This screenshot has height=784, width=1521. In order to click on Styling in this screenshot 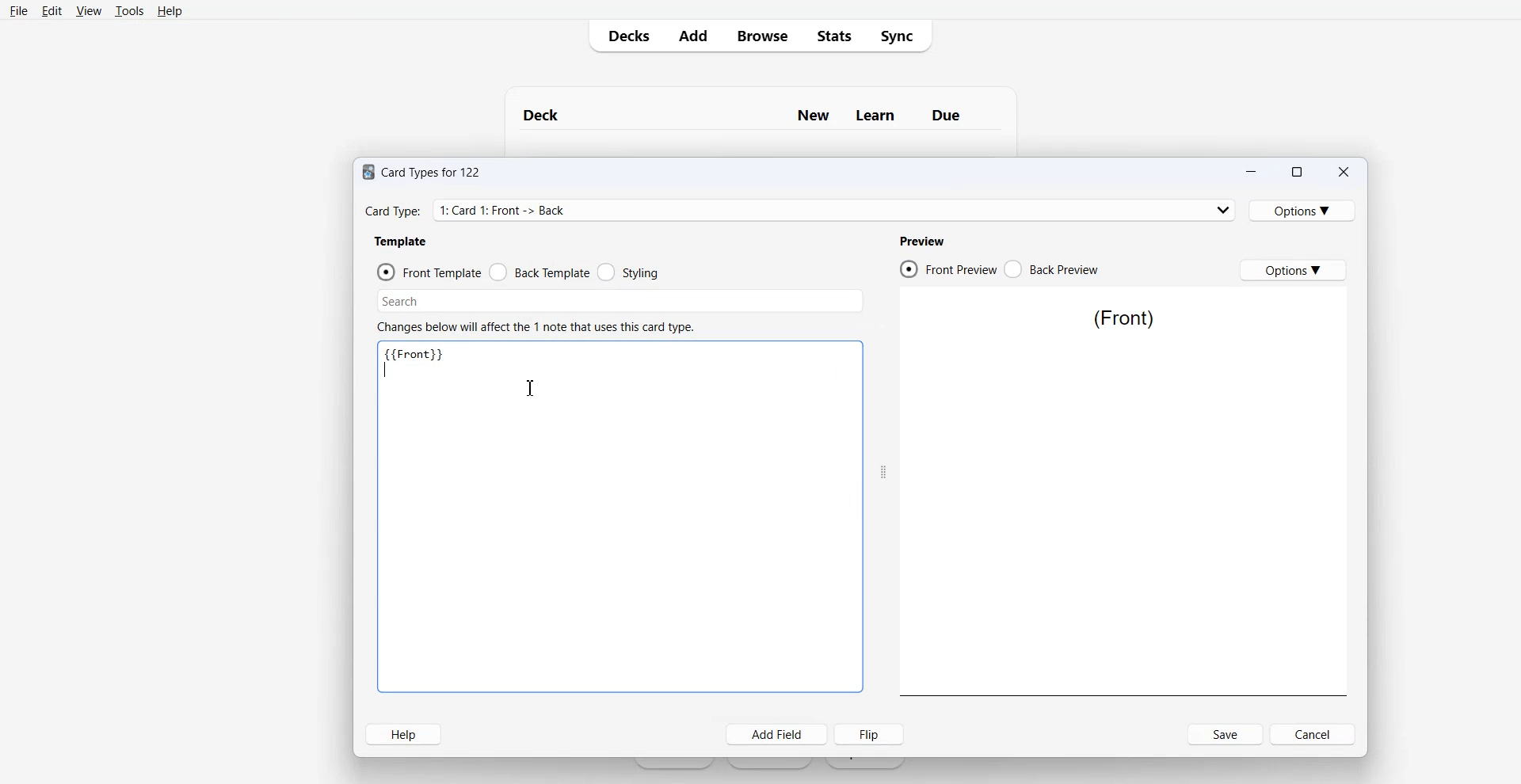, I will do `click(630, 272)`.